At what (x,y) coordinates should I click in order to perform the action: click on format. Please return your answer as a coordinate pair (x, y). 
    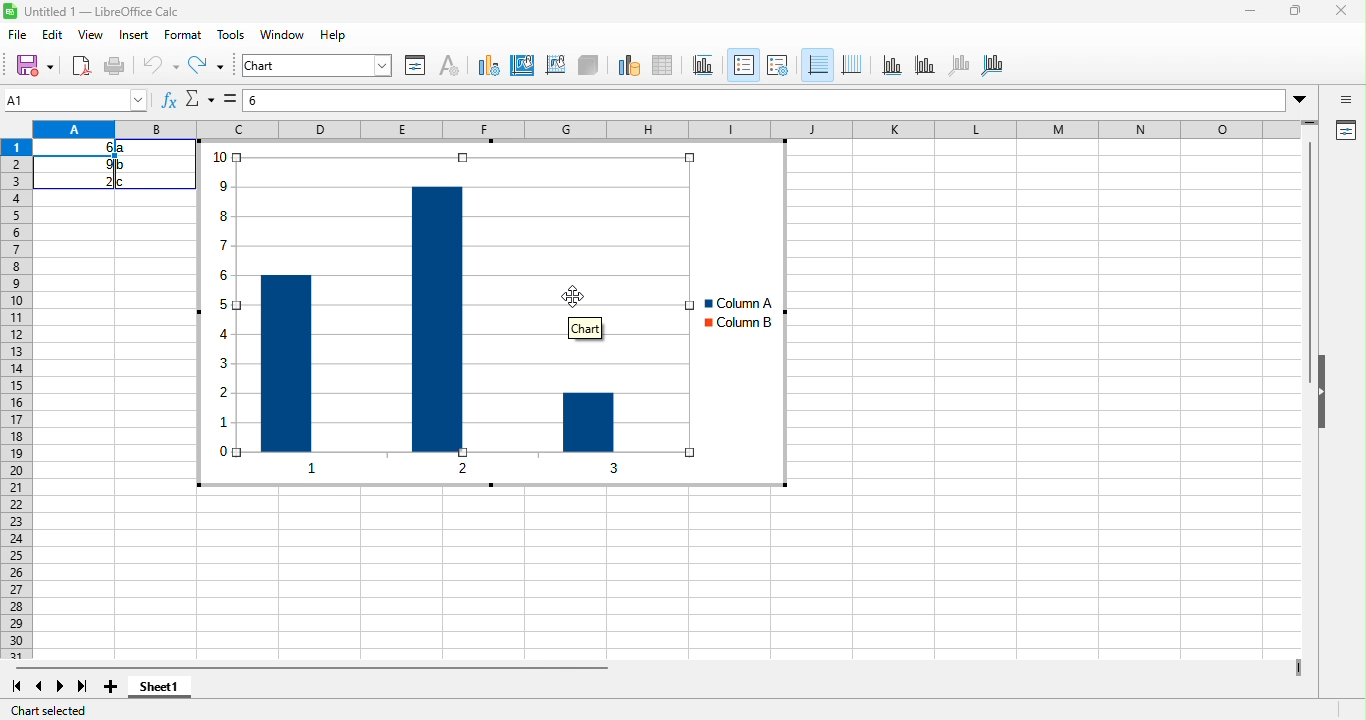
    Looking at the image, I should click on (186, 34).